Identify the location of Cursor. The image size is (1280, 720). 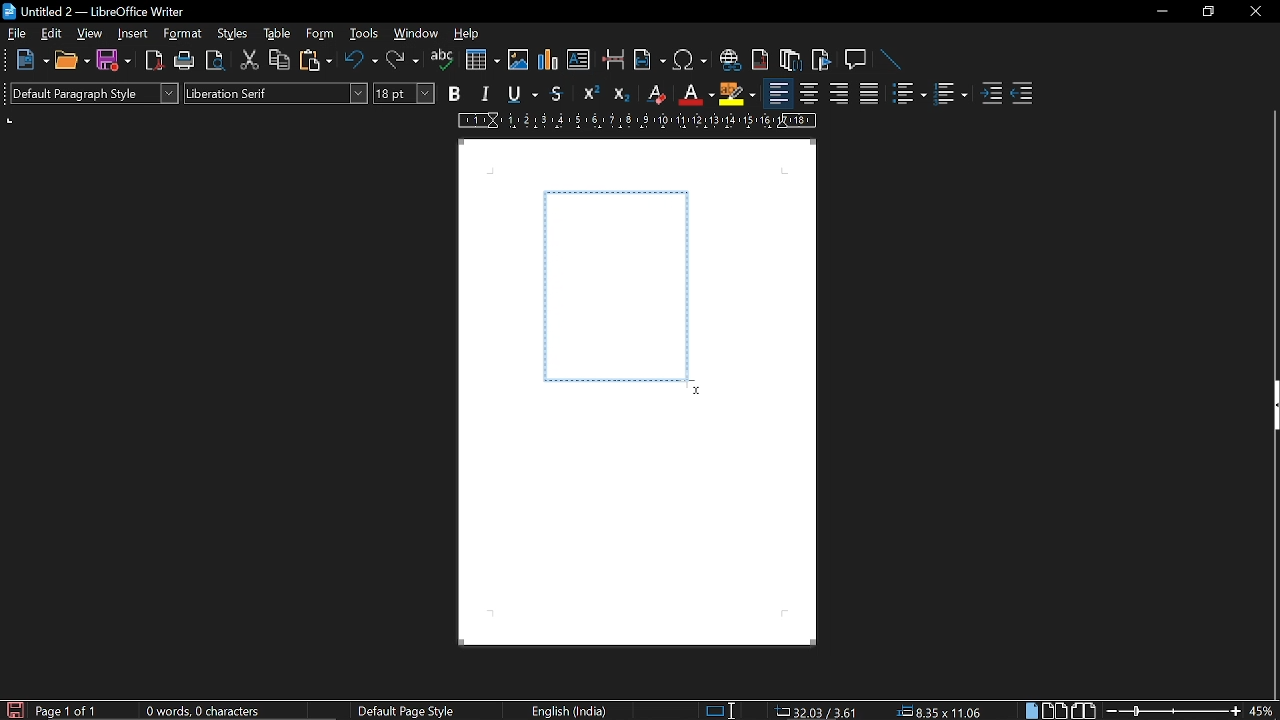
(692, 393).